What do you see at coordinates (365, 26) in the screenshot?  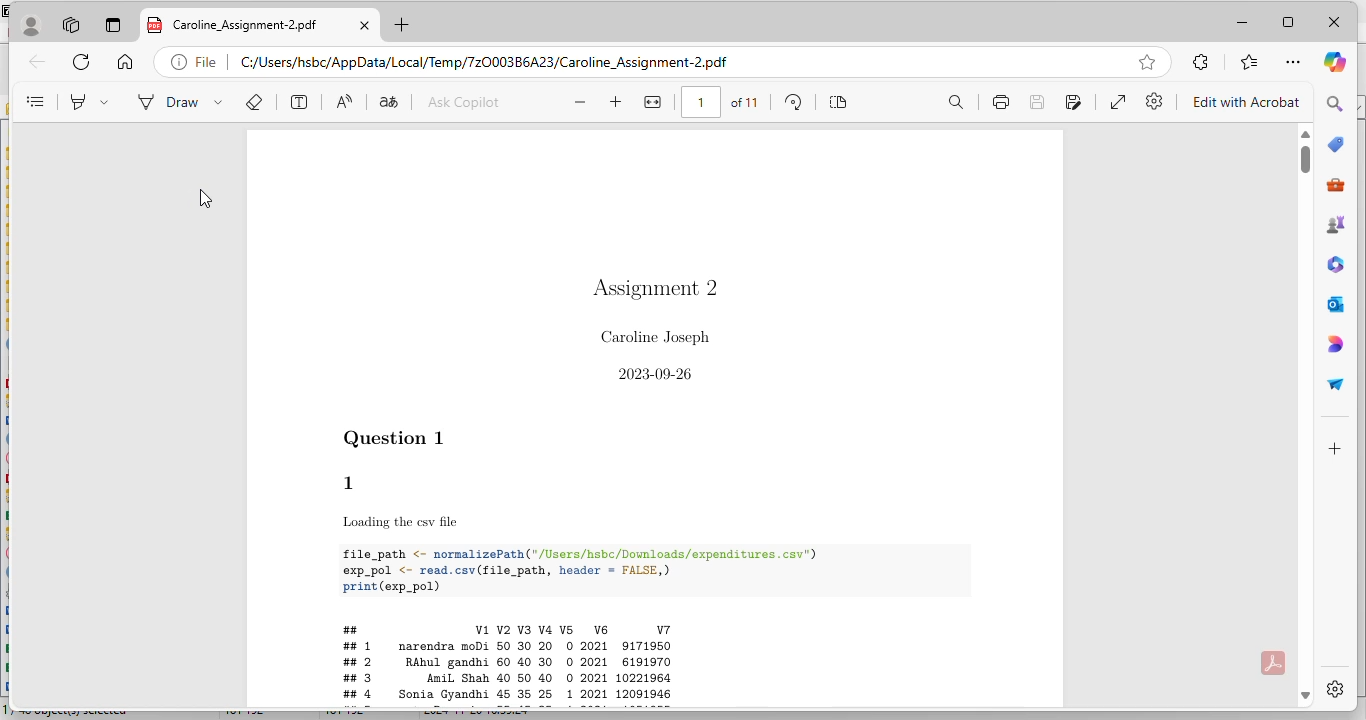 I see `close tab` at bounding box center [365, 26].